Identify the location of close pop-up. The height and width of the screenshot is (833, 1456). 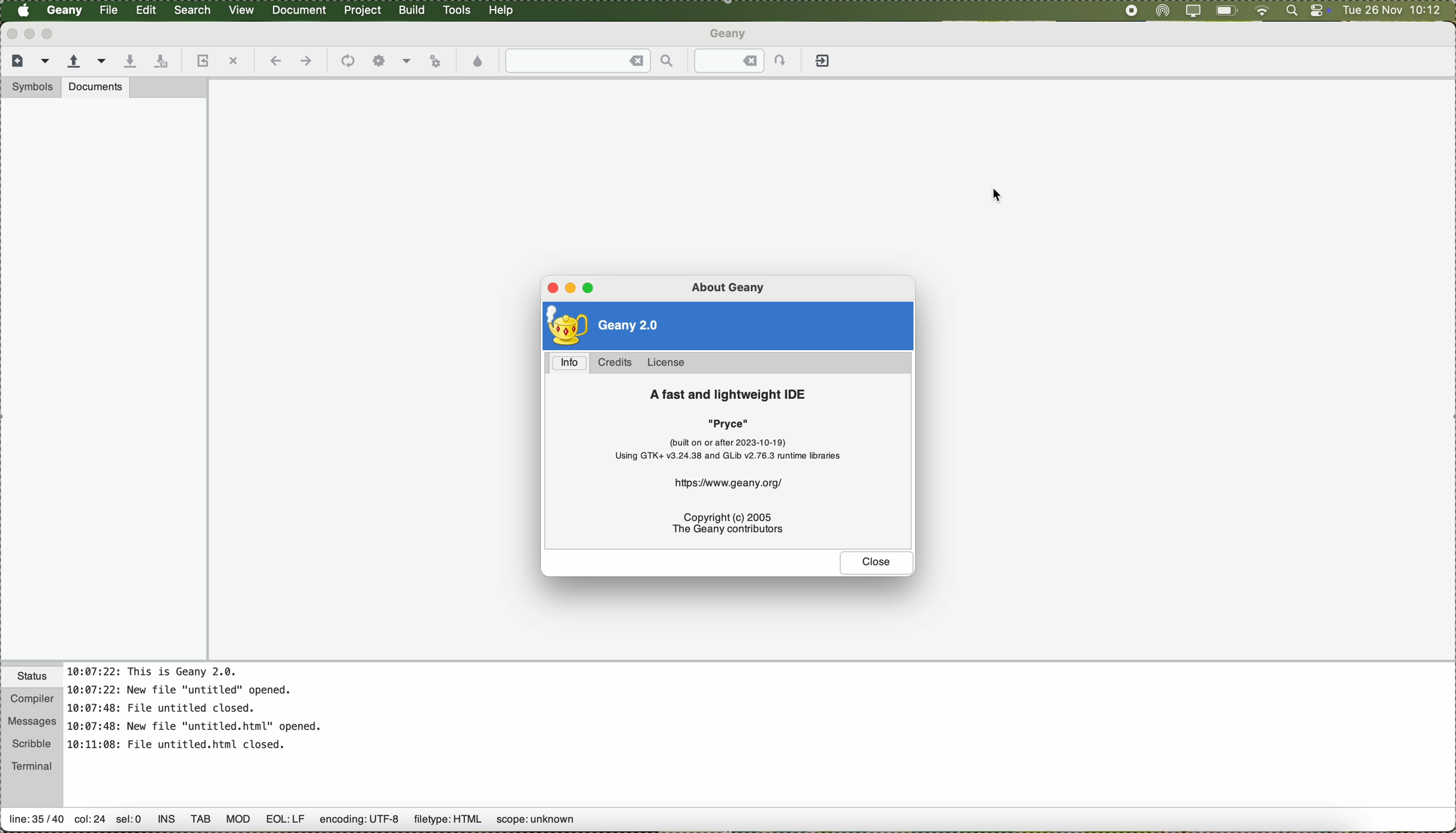
(548, 288).